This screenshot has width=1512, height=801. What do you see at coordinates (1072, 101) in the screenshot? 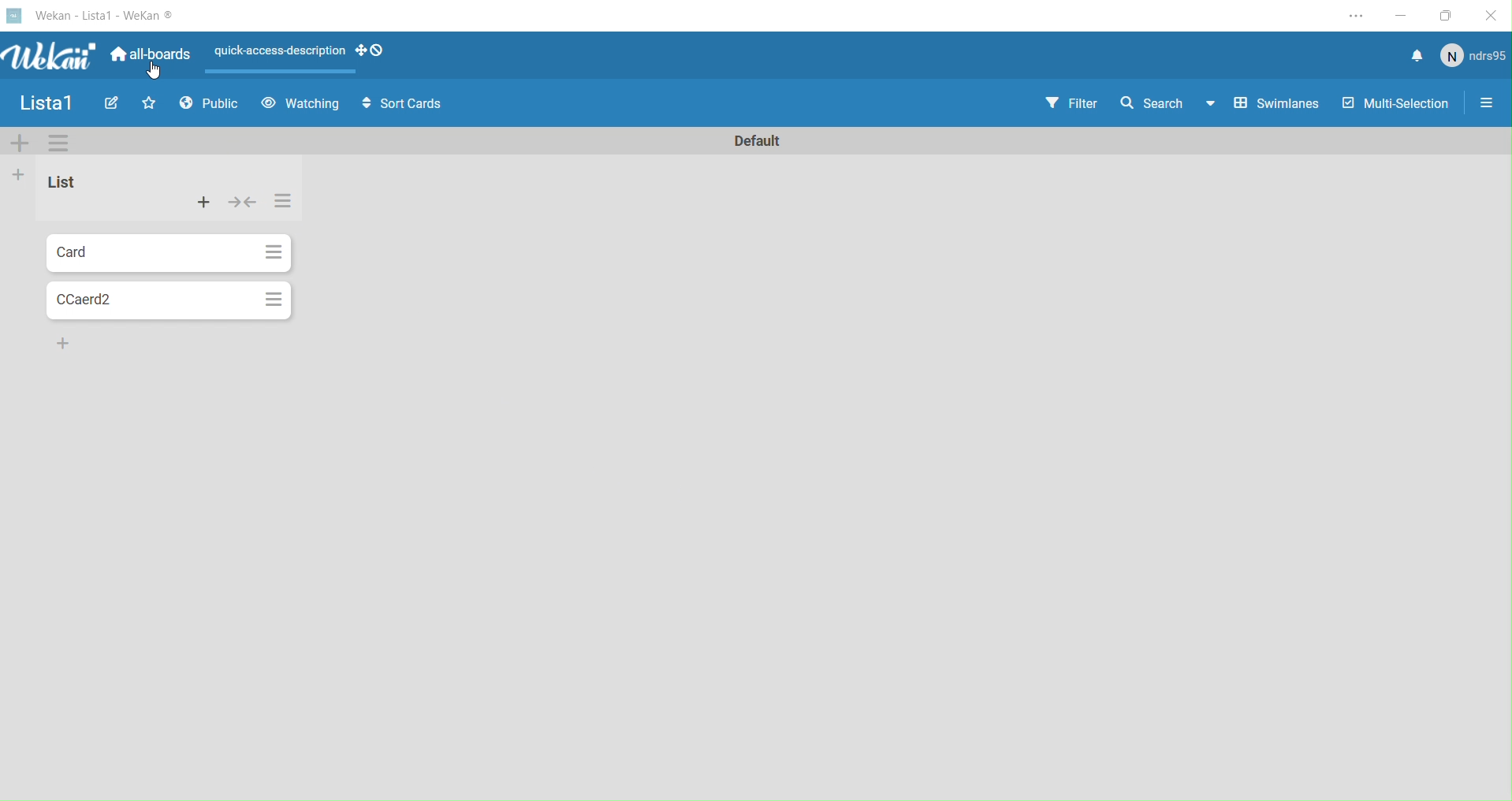
I see `Filter` at bounding box center [1072, 101].